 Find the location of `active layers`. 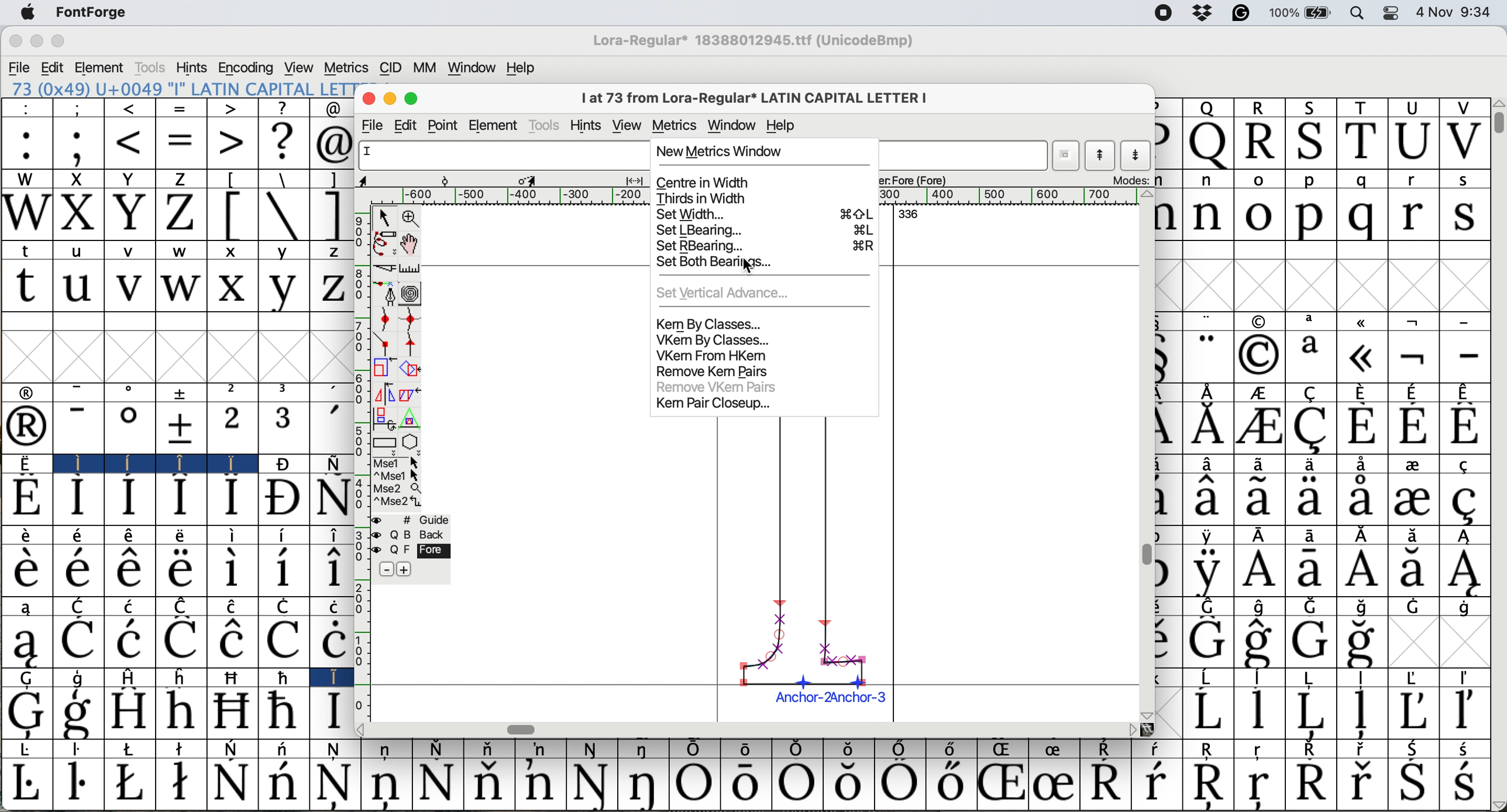

active layers is located at coordinates (891, 178).